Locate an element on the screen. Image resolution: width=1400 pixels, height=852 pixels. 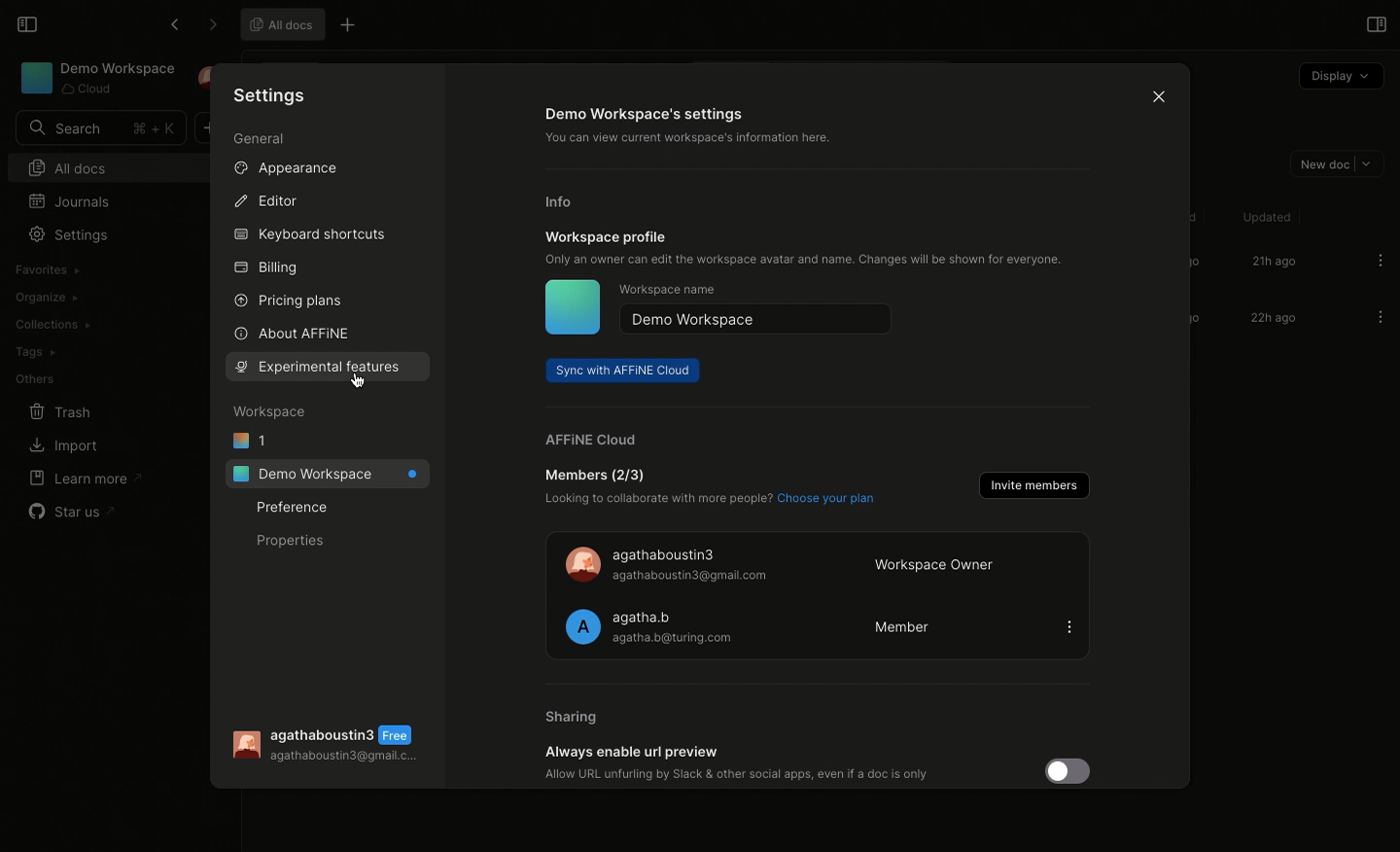
New doc is located at coordinates (1333, 162).